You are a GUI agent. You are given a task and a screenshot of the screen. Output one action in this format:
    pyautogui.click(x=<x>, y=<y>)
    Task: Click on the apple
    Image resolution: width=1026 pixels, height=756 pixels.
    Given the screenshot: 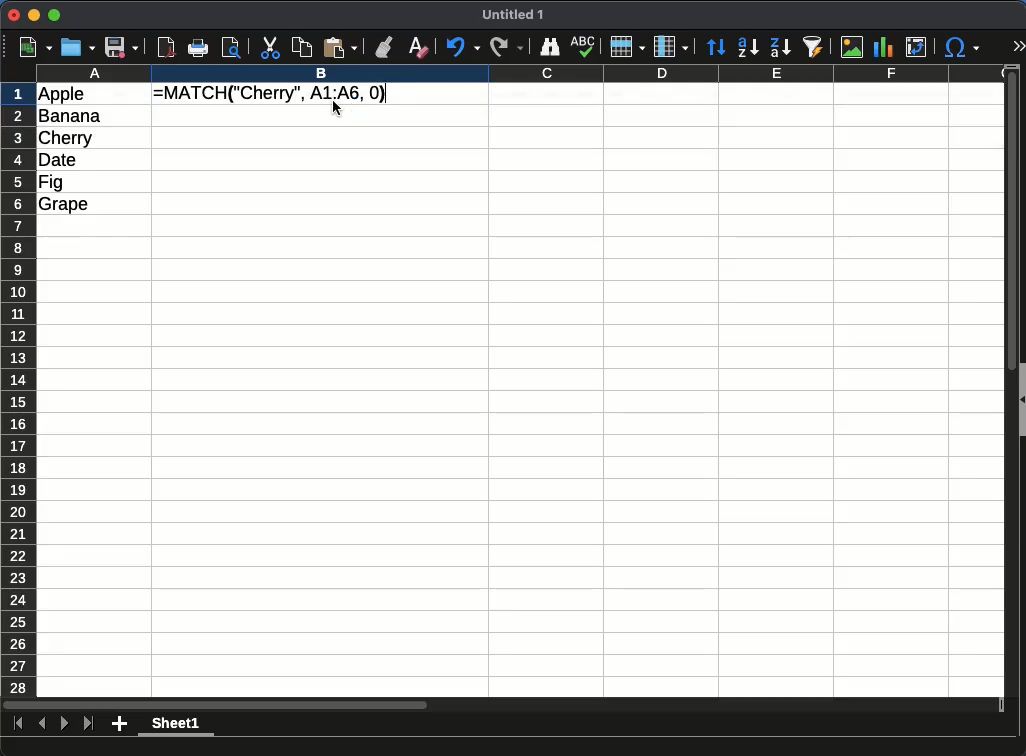 What is the action you would take?
    pyautogui.click(x=62, y=95)
    